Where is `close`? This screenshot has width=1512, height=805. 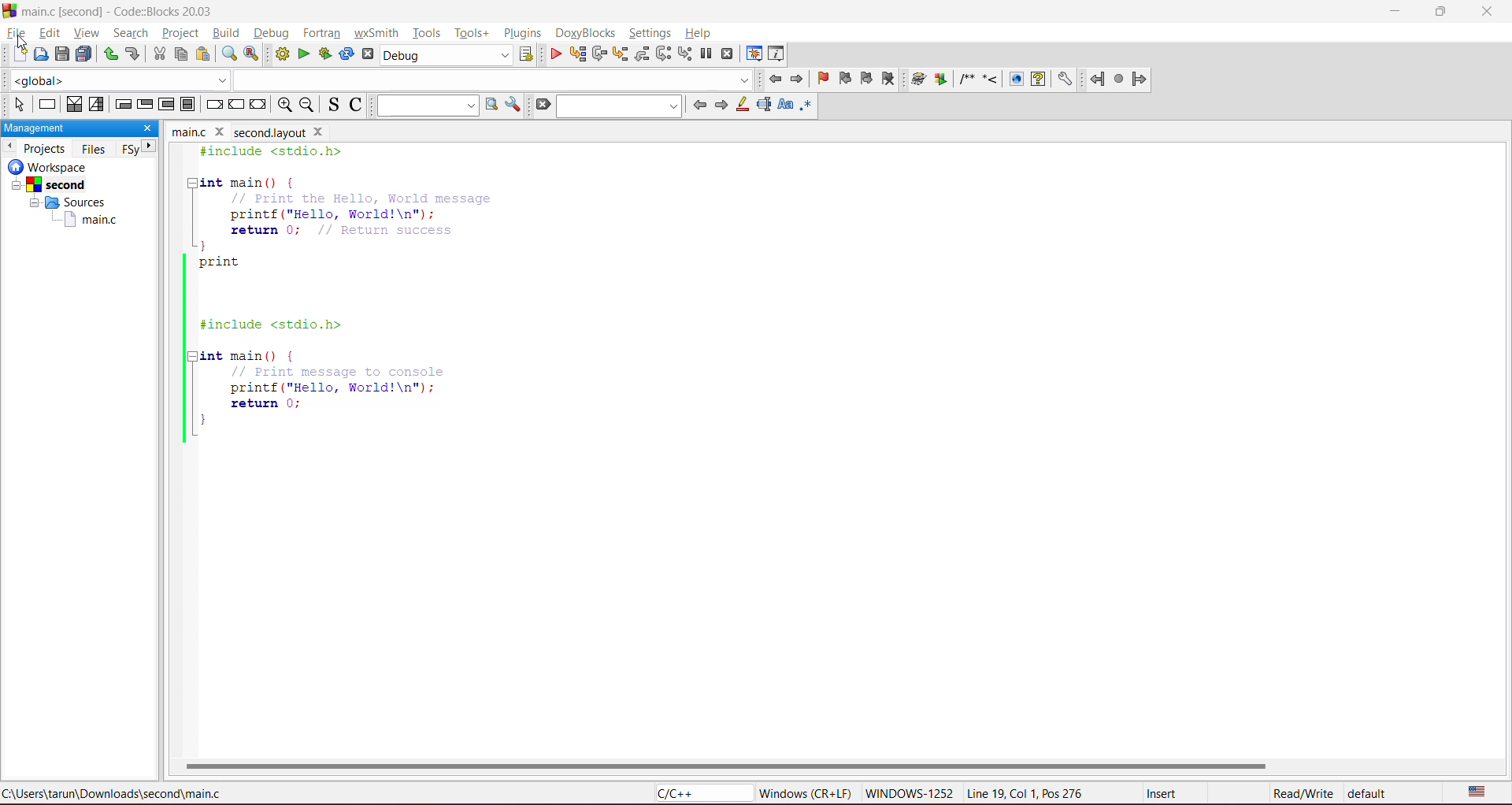
close is located at coordinates (146, 128).